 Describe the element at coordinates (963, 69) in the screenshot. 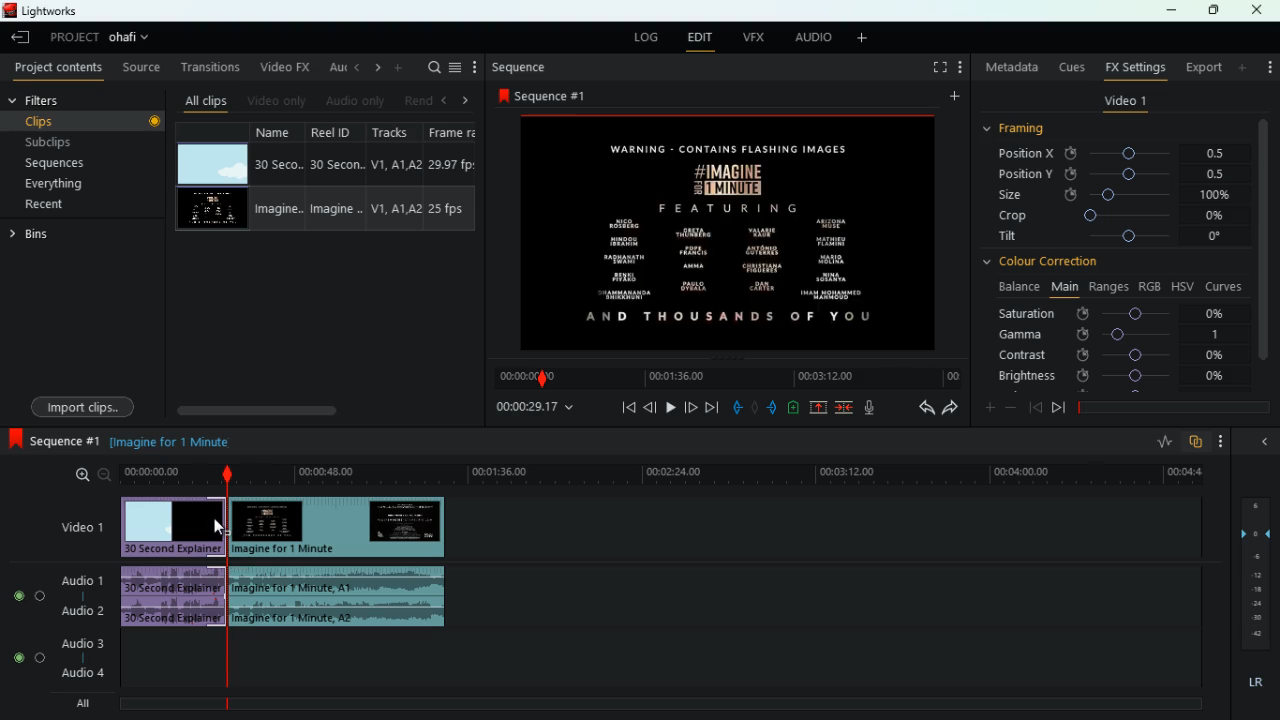

I see `more` at that location.